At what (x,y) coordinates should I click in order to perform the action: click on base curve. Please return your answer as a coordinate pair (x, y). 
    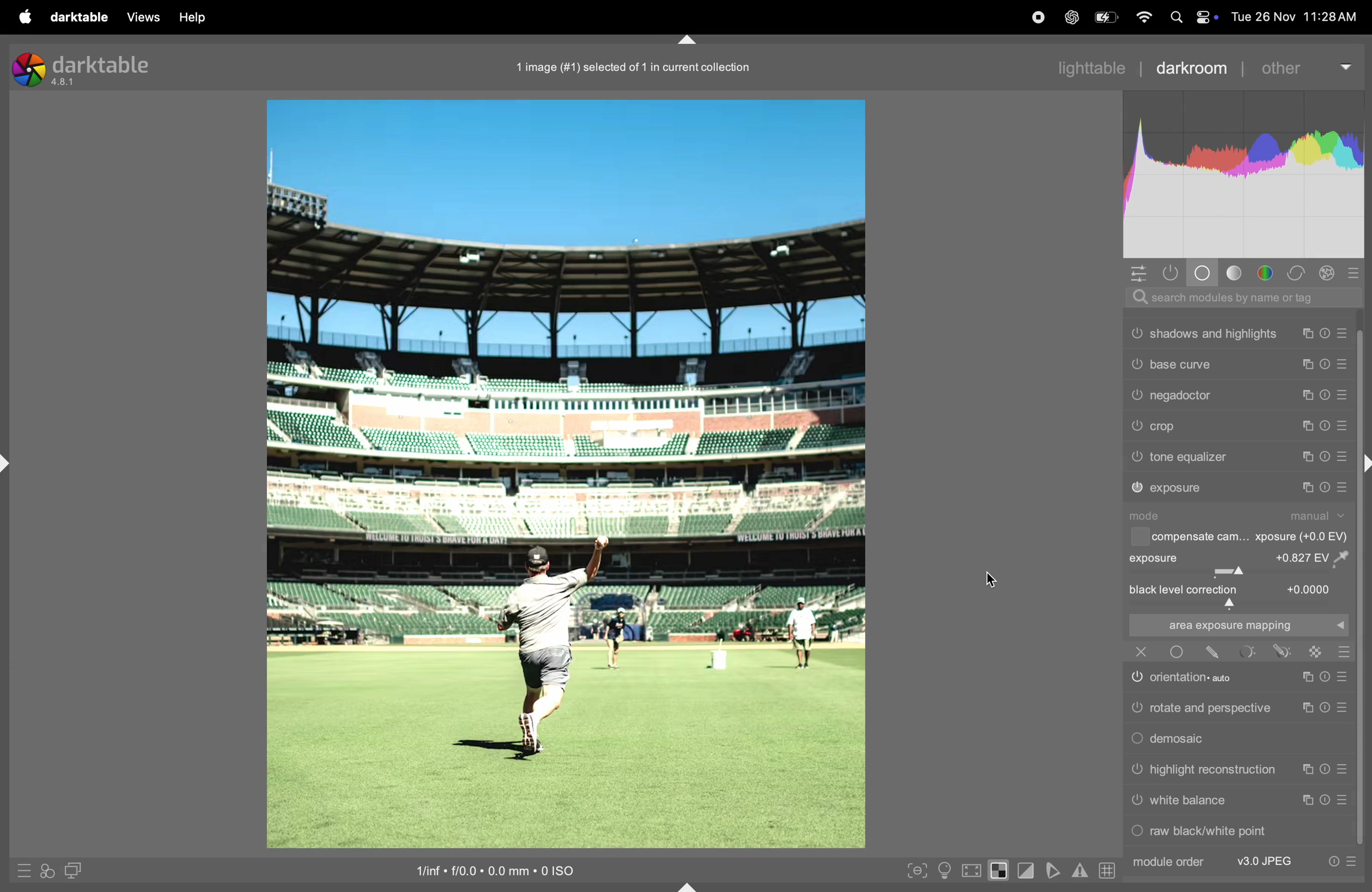
    Looking at the image, I should click on (1181, 364).